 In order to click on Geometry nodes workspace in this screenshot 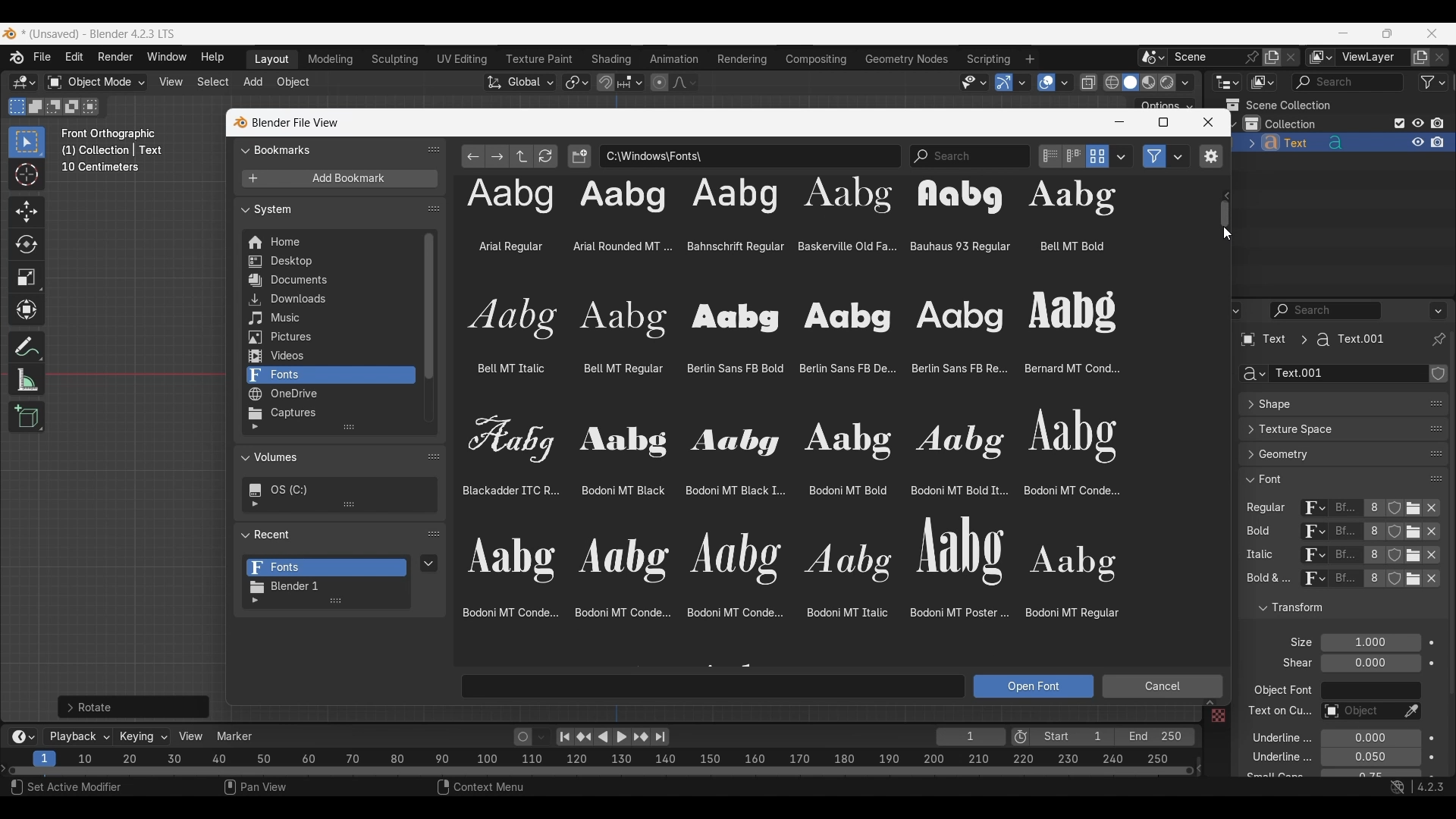, I will do `click(906, 58)`.